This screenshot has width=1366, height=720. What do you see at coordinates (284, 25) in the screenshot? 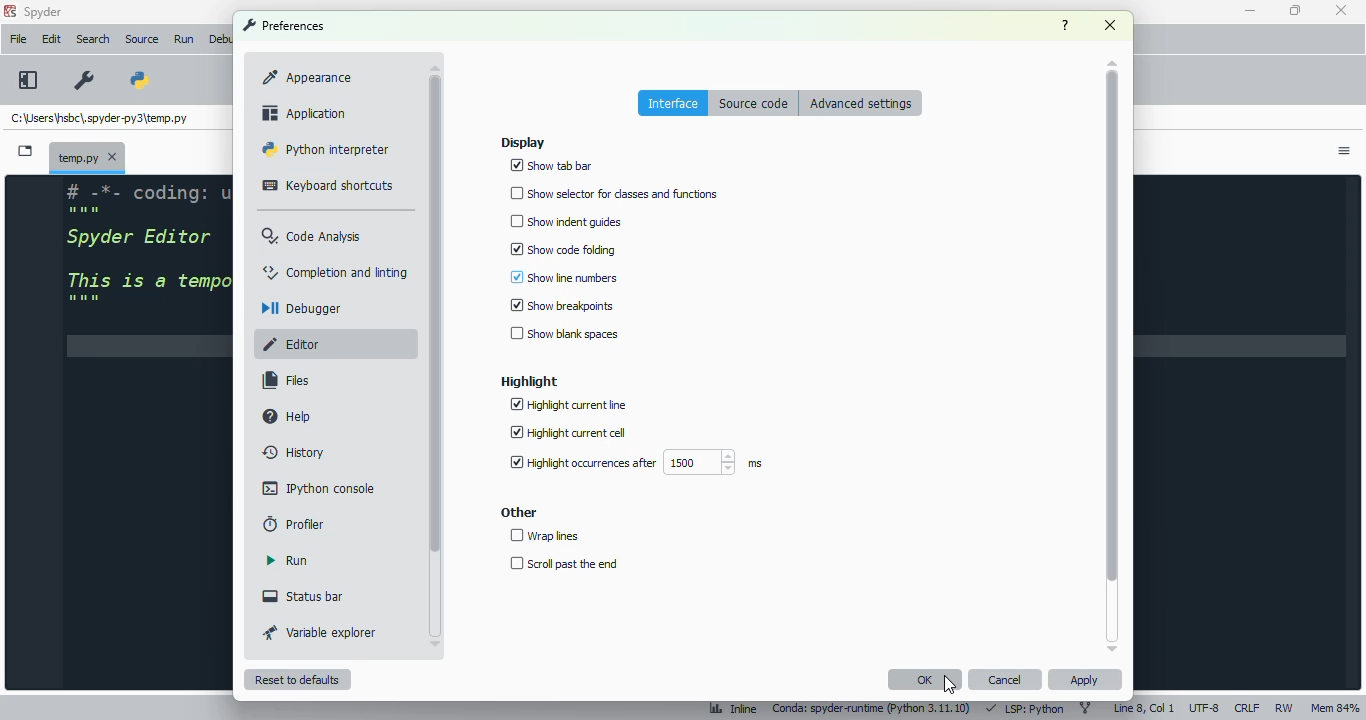
I see `preferences` at bounding box center [284, 25].